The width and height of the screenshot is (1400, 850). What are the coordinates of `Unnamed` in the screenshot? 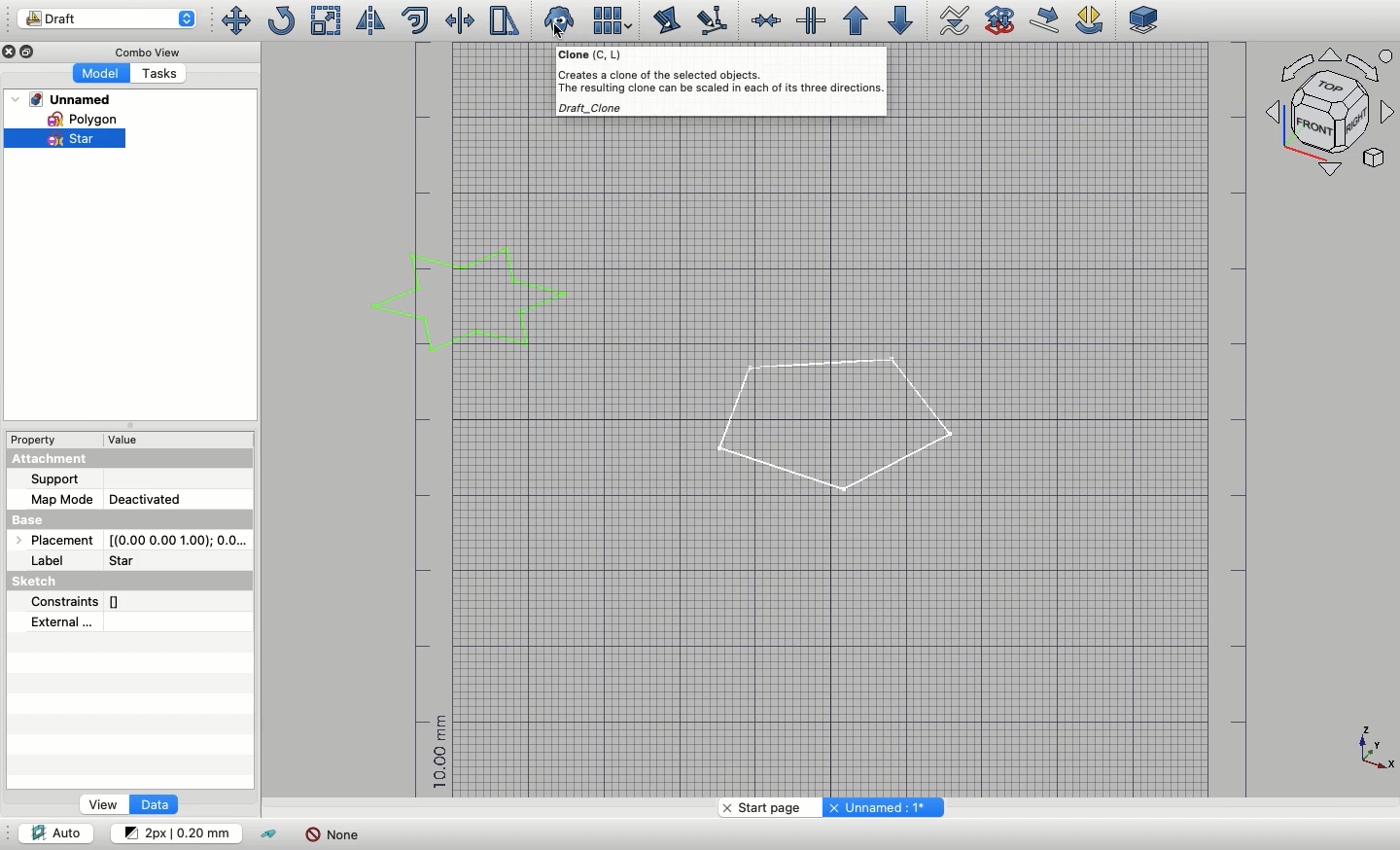 It's located at (62, 99).